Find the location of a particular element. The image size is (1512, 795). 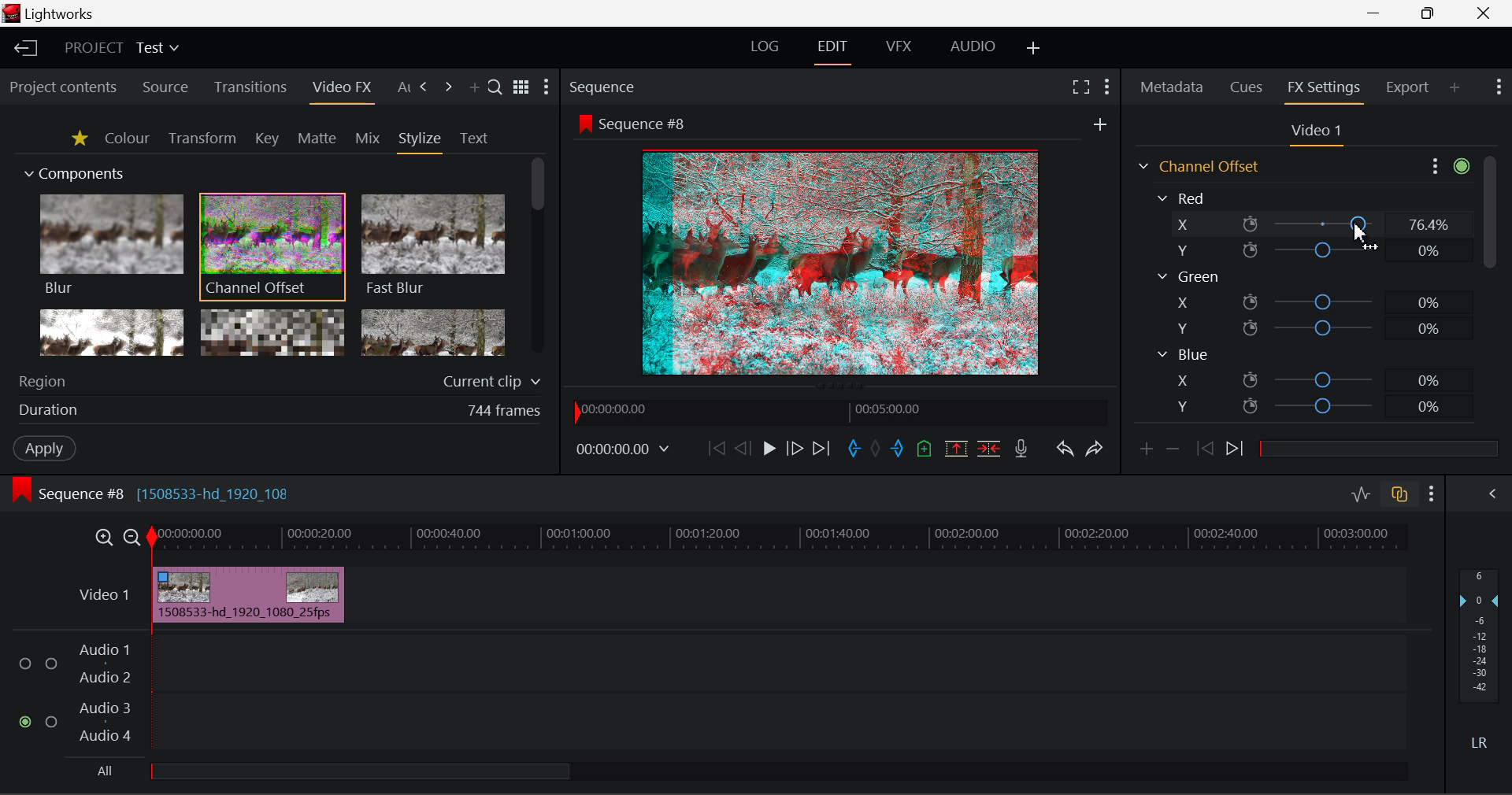

Mosaic is located at coordinates (272, 331).